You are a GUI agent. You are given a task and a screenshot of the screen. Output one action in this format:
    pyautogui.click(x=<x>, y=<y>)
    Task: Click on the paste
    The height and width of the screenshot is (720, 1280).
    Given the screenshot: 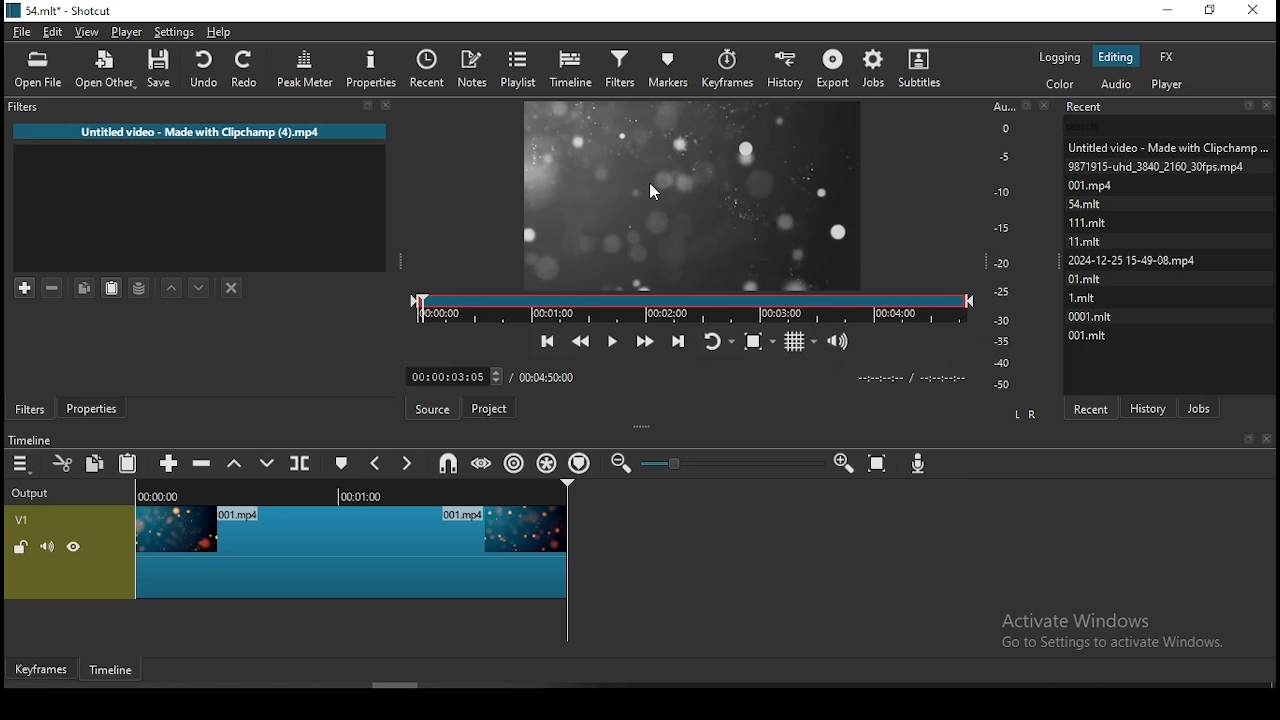 What is the action you would take?
    pyautogui.click(x=130, y=462)
    